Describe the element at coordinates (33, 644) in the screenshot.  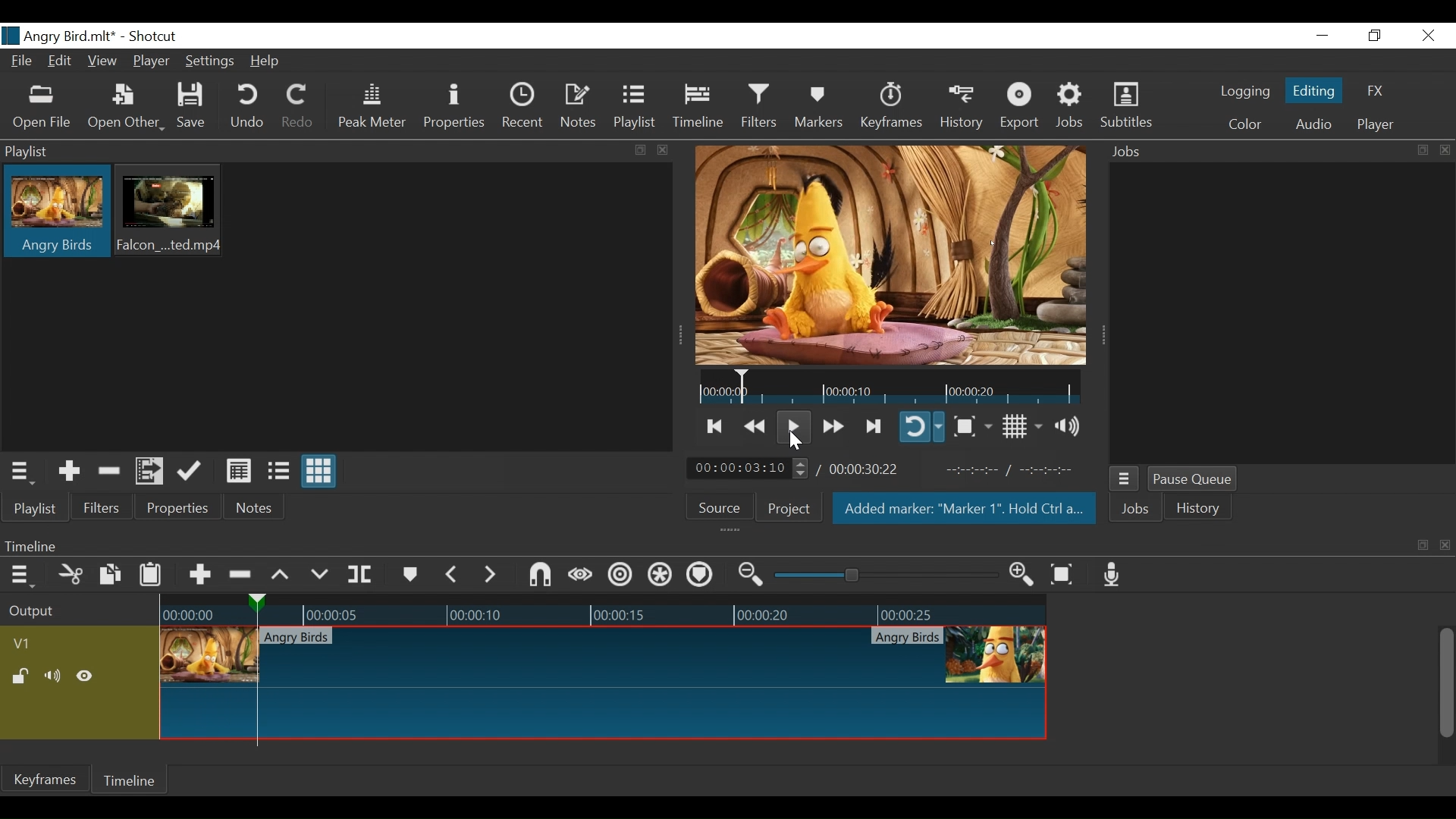
I see `Video track name` at that location.